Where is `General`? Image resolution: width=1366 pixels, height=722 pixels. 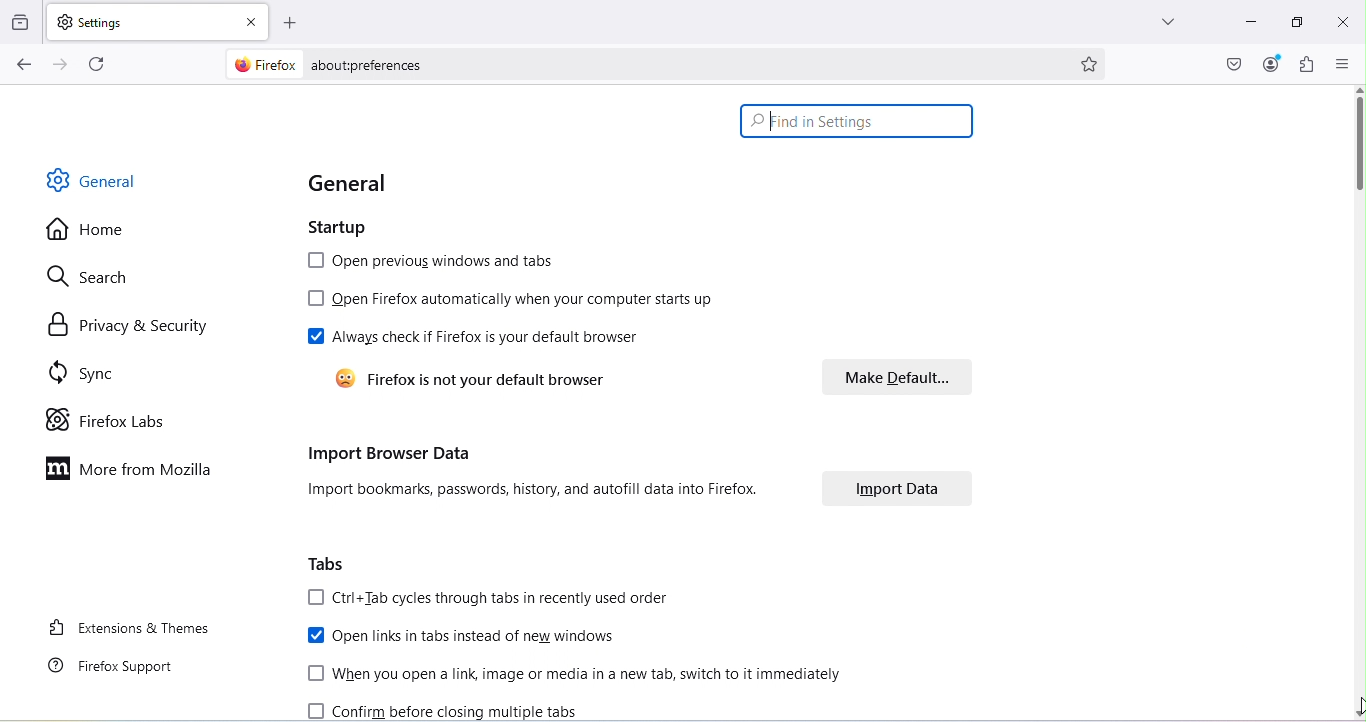 General is located at coordinates (348, 176).